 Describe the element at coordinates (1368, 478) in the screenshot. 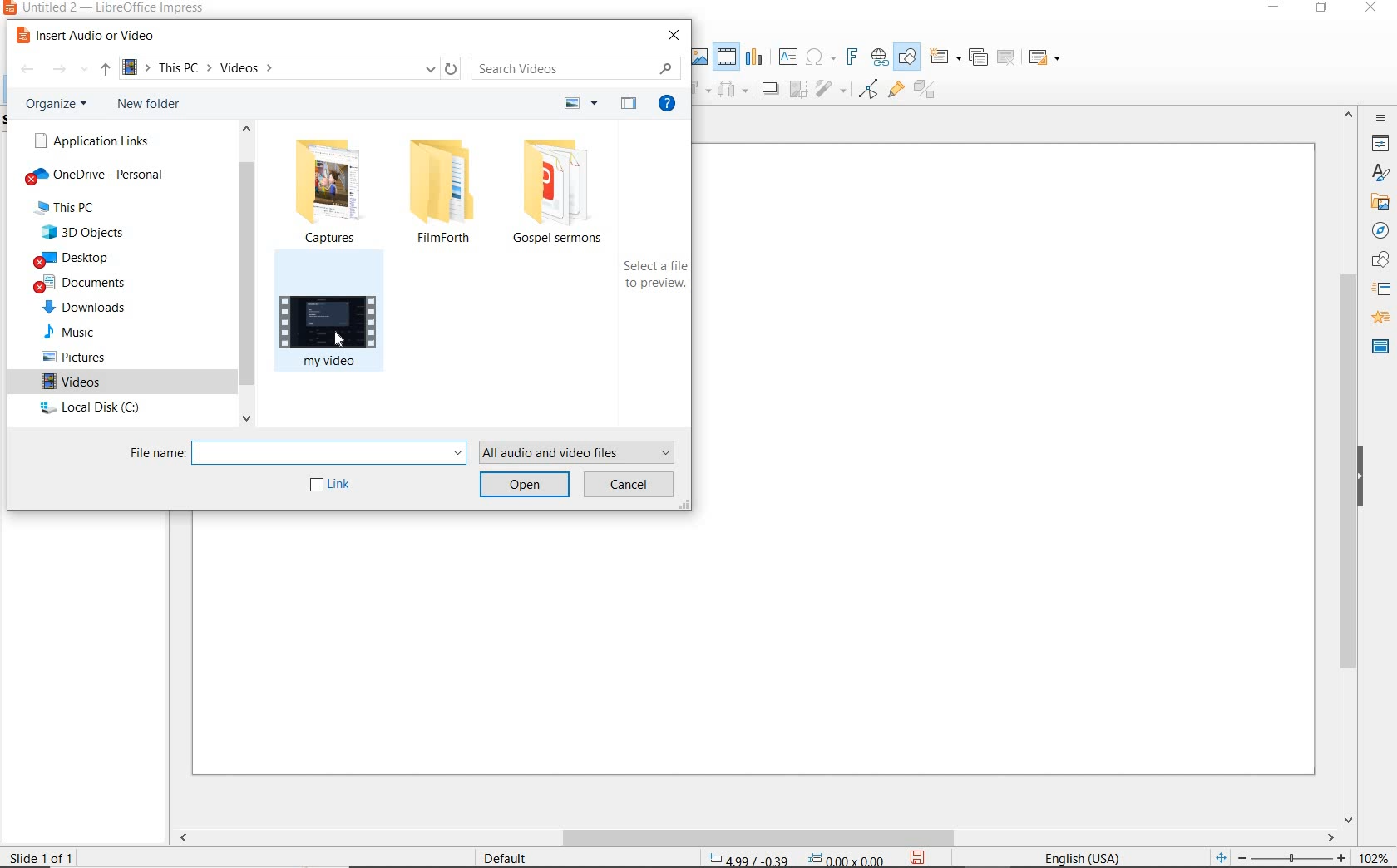

I see `HIDE` at that location.